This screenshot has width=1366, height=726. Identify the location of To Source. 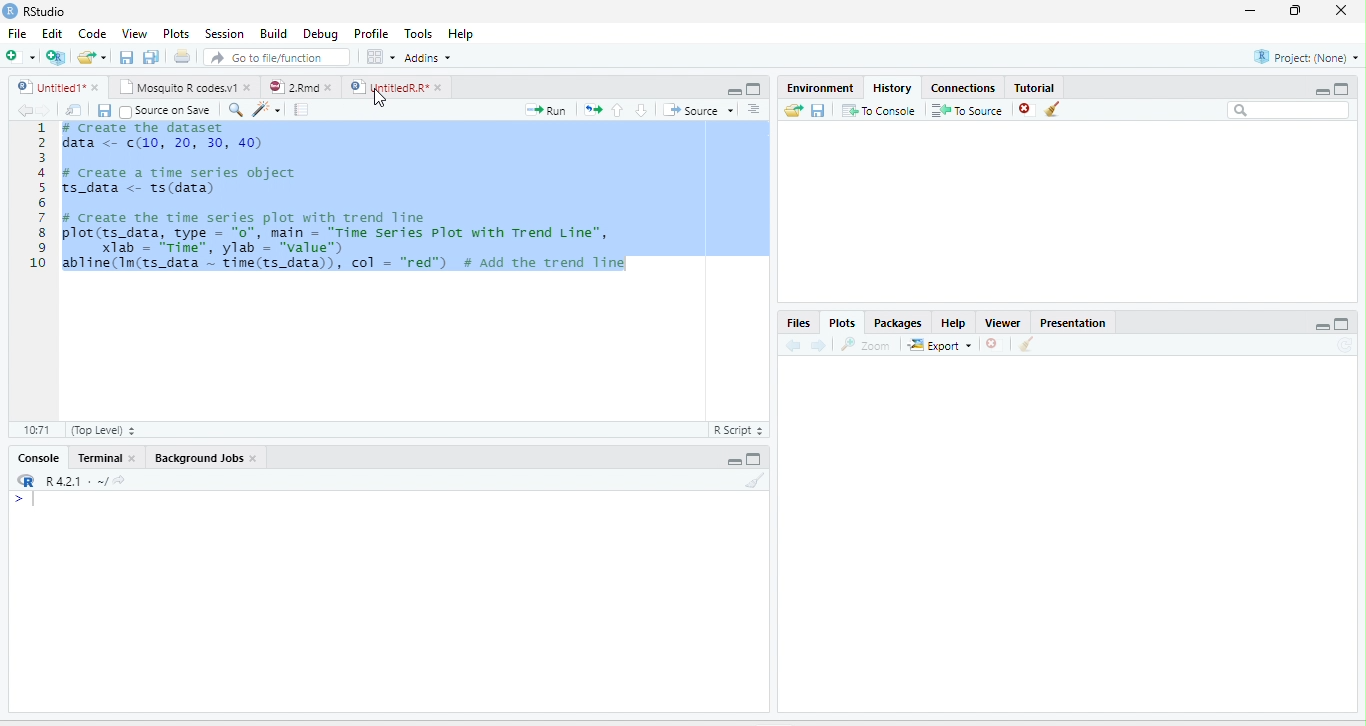
(966, 110).